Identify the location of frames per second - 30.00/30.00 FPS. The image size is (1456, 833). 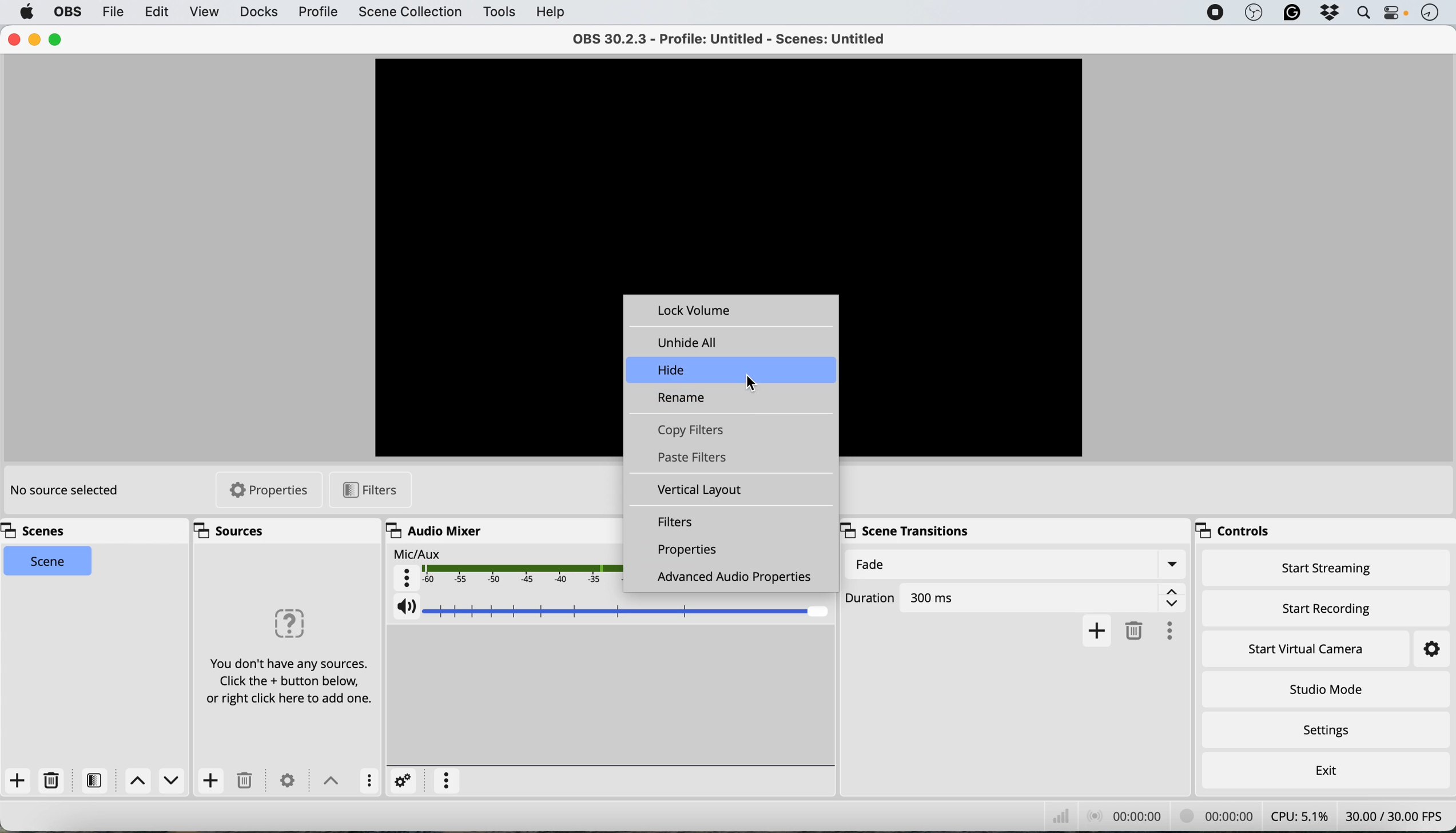
(1398, 816).